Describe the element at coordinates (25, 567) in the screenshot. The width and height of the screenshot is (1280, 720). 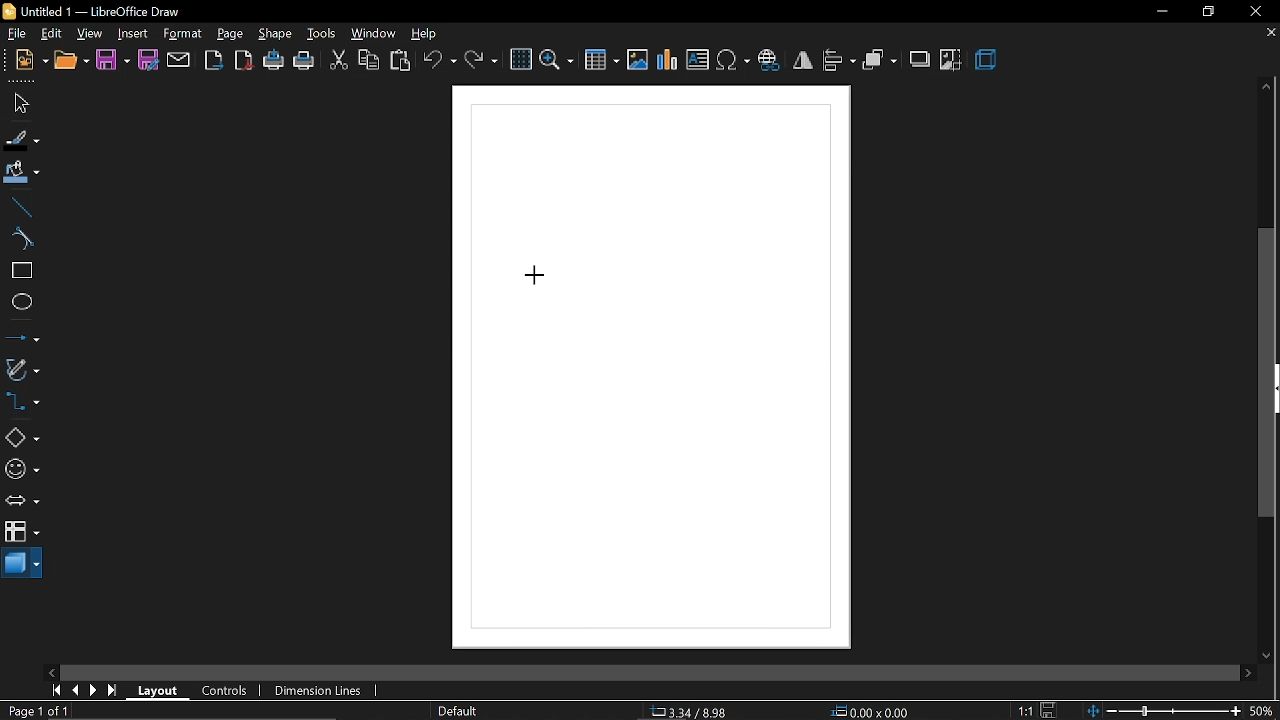
I see `3d shapes` at that location.